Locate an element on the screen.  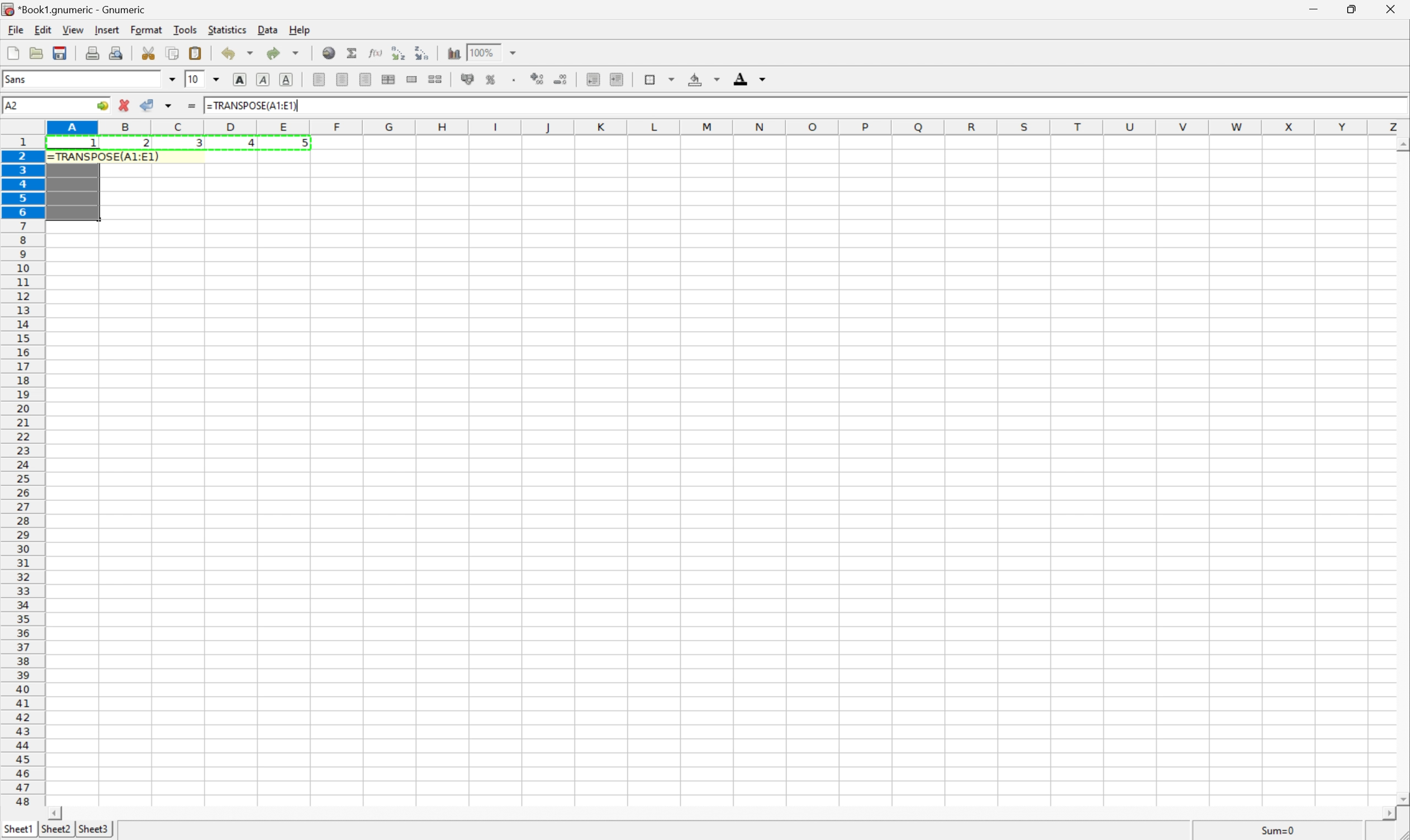
accept changes is located at coordinates (148, 105).